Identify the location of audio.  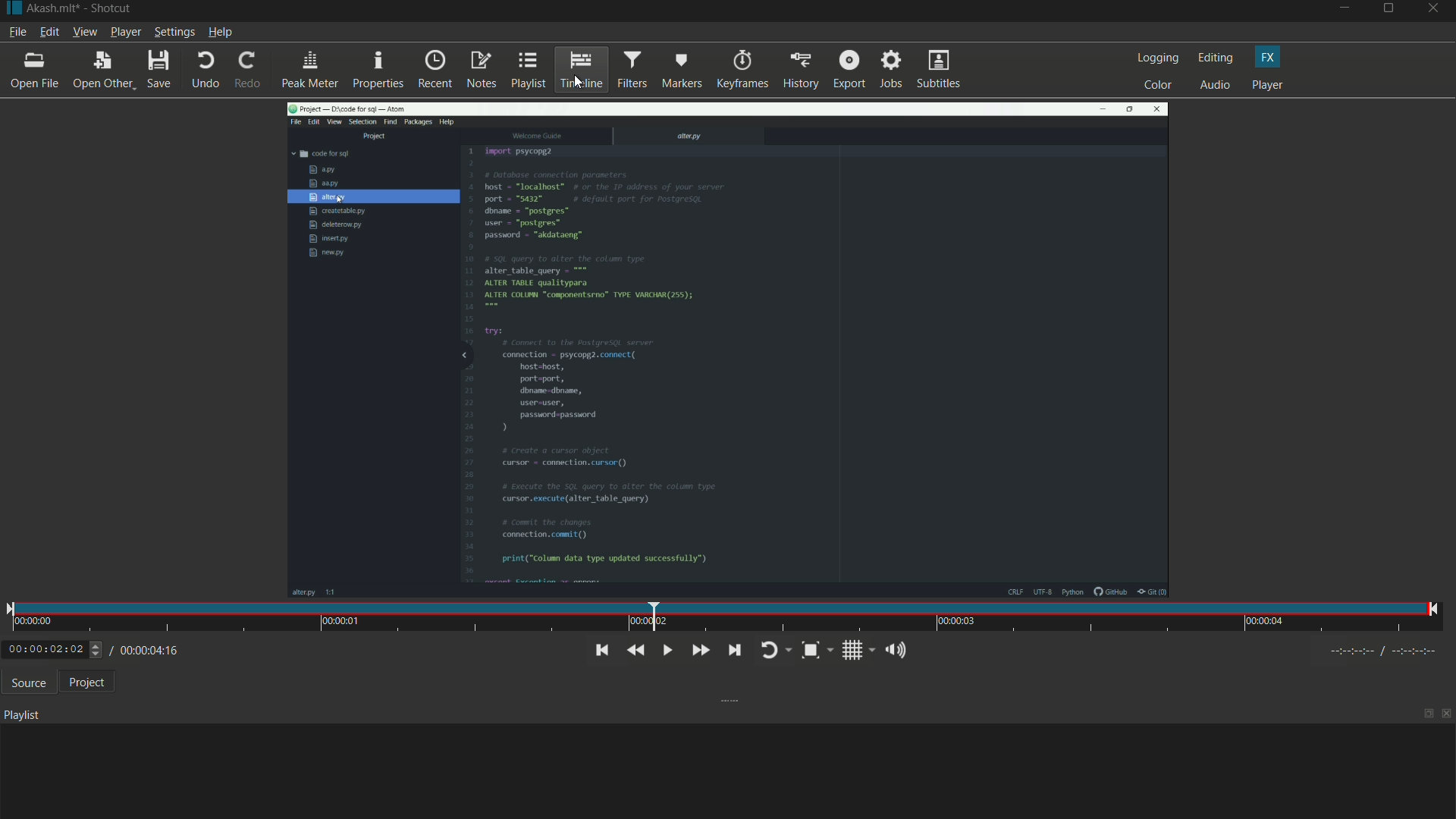
(1216, 86).